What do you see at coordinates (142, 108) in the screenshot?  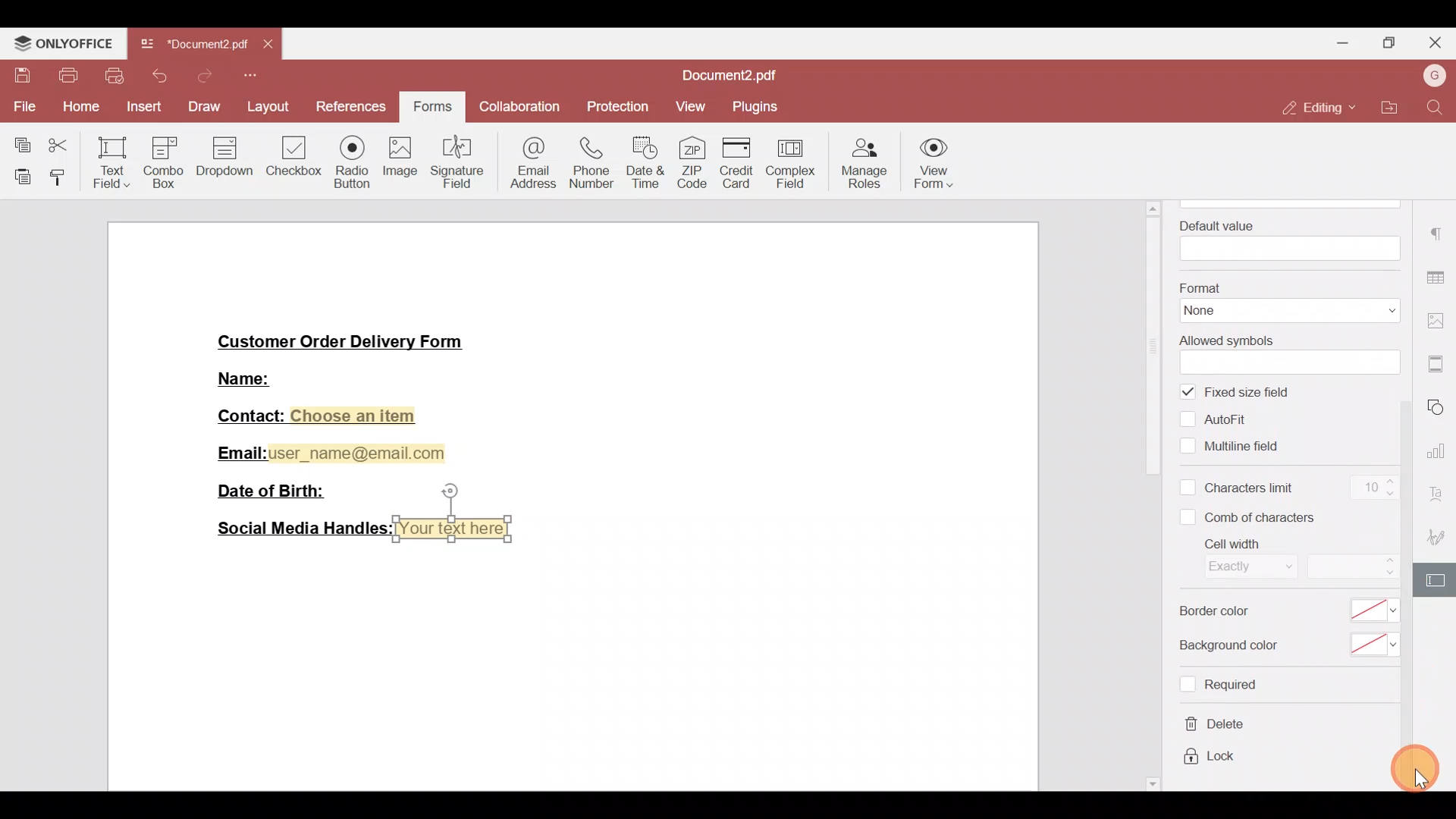 I see `Insert` at bounding box center [142, 108].